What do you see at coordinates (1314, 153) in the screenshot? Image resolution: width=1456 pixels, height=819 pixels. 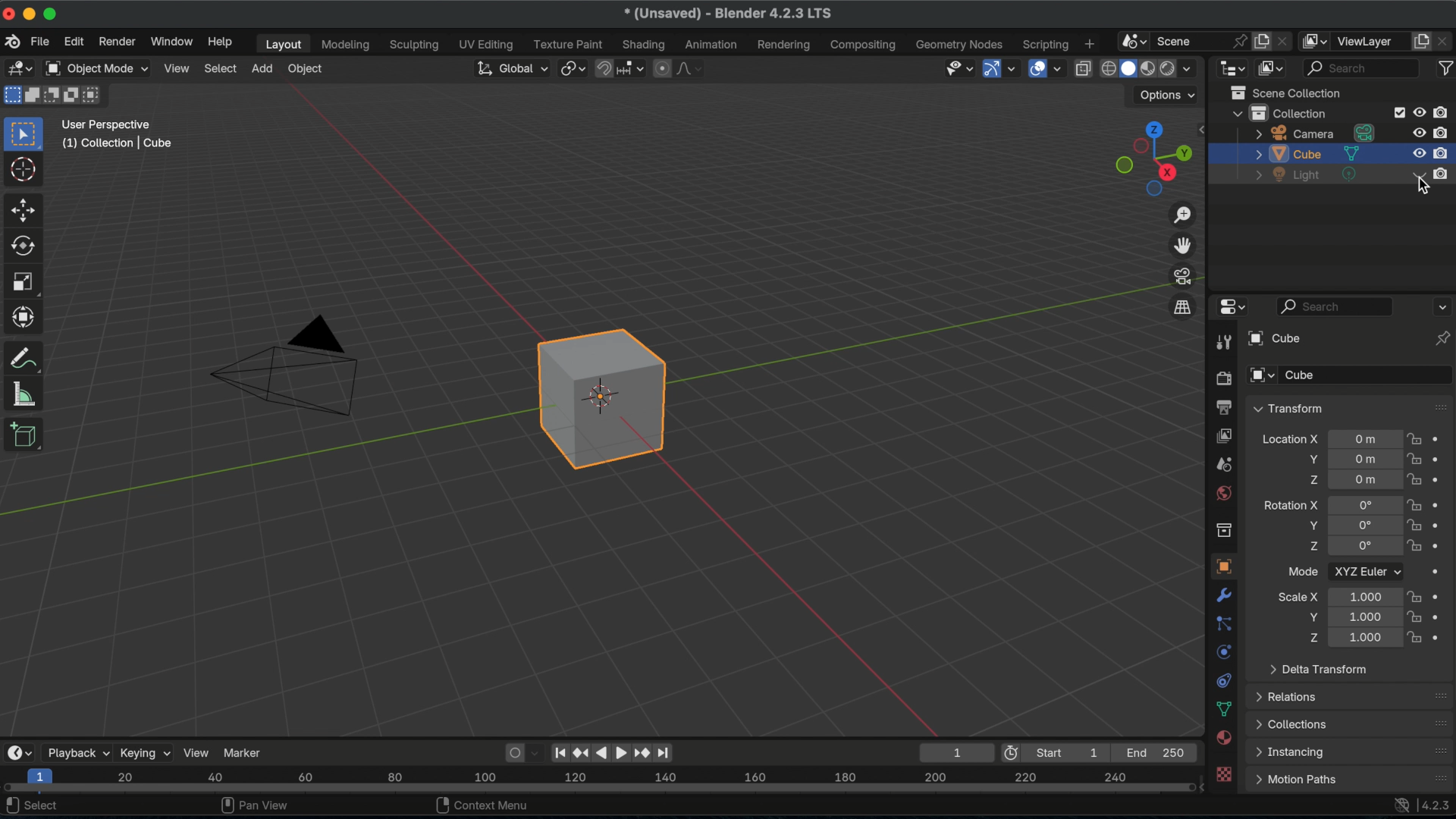 I see `cube` at bounding box center [1314, 153].